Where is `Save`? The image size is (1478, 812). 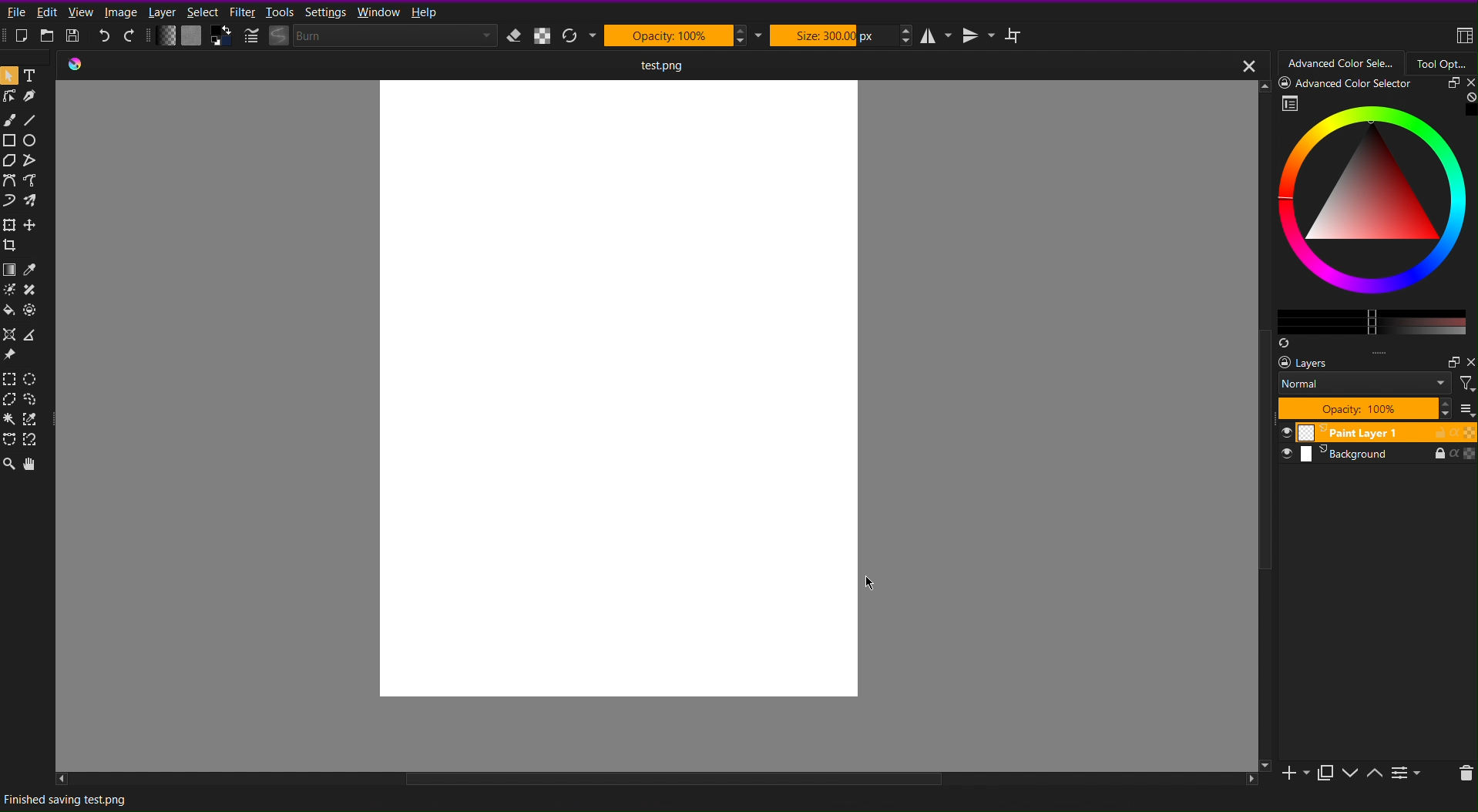 Save is located at coordinates (76, 36).